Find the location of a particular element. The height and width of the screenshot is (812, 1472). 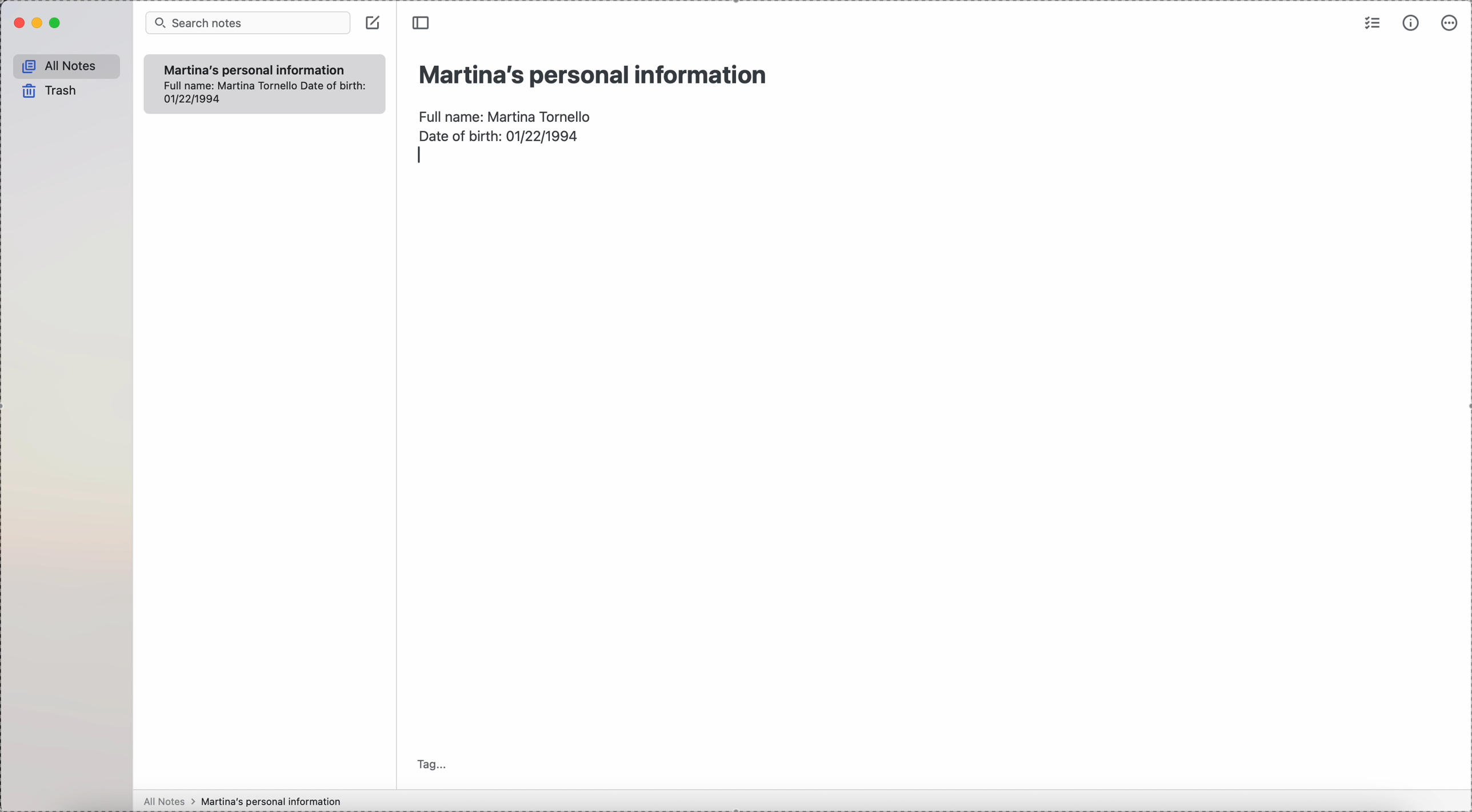

metrics is located at coordinates (1413, 23).